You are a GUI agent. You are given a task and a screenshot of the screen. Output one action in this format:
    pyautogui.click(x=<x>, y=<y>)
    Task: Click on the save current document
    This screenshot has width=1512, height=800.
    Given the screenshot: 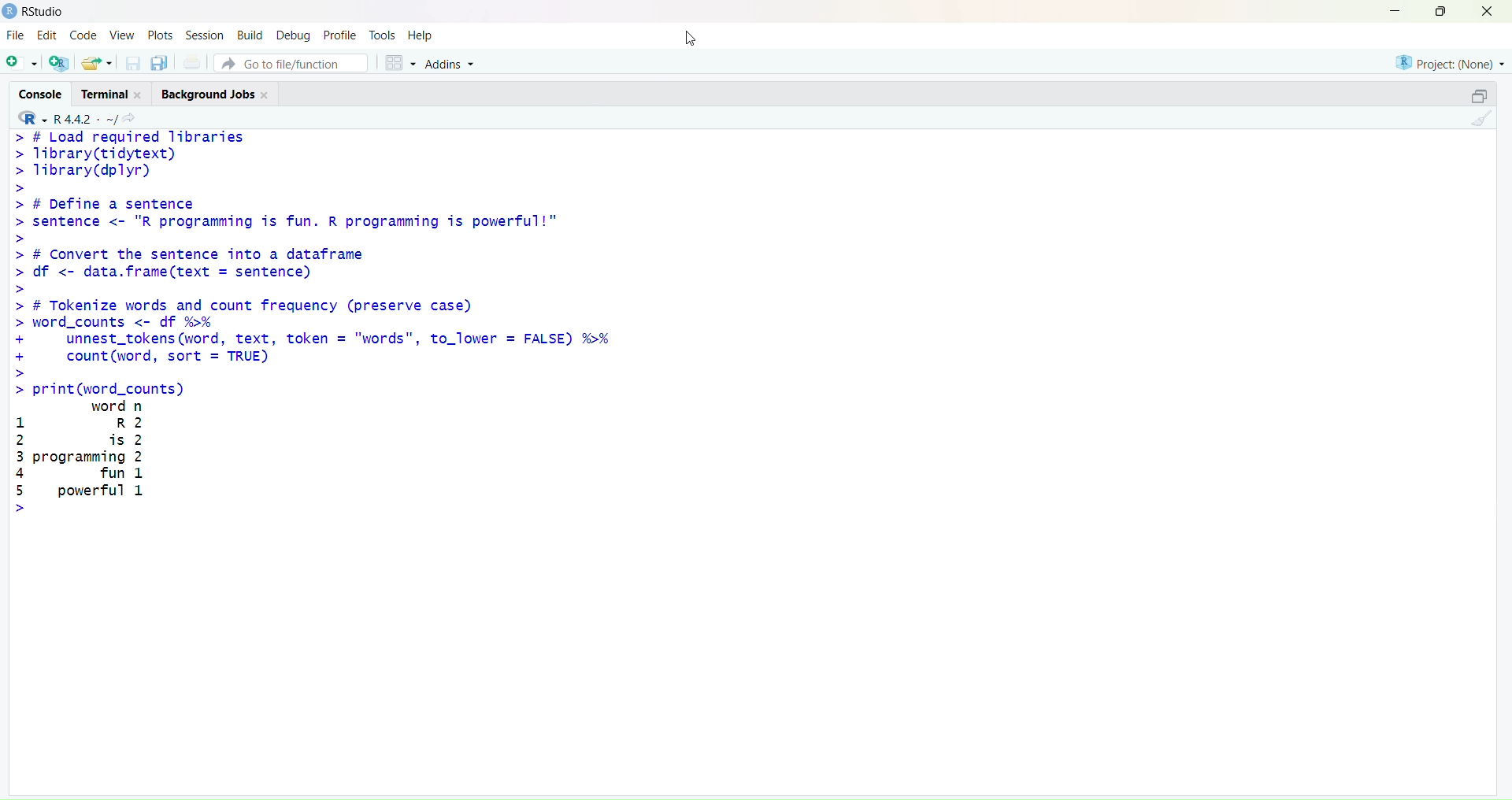 What is the action you would take?
    pyautogui.click(x=132, y=64)
    